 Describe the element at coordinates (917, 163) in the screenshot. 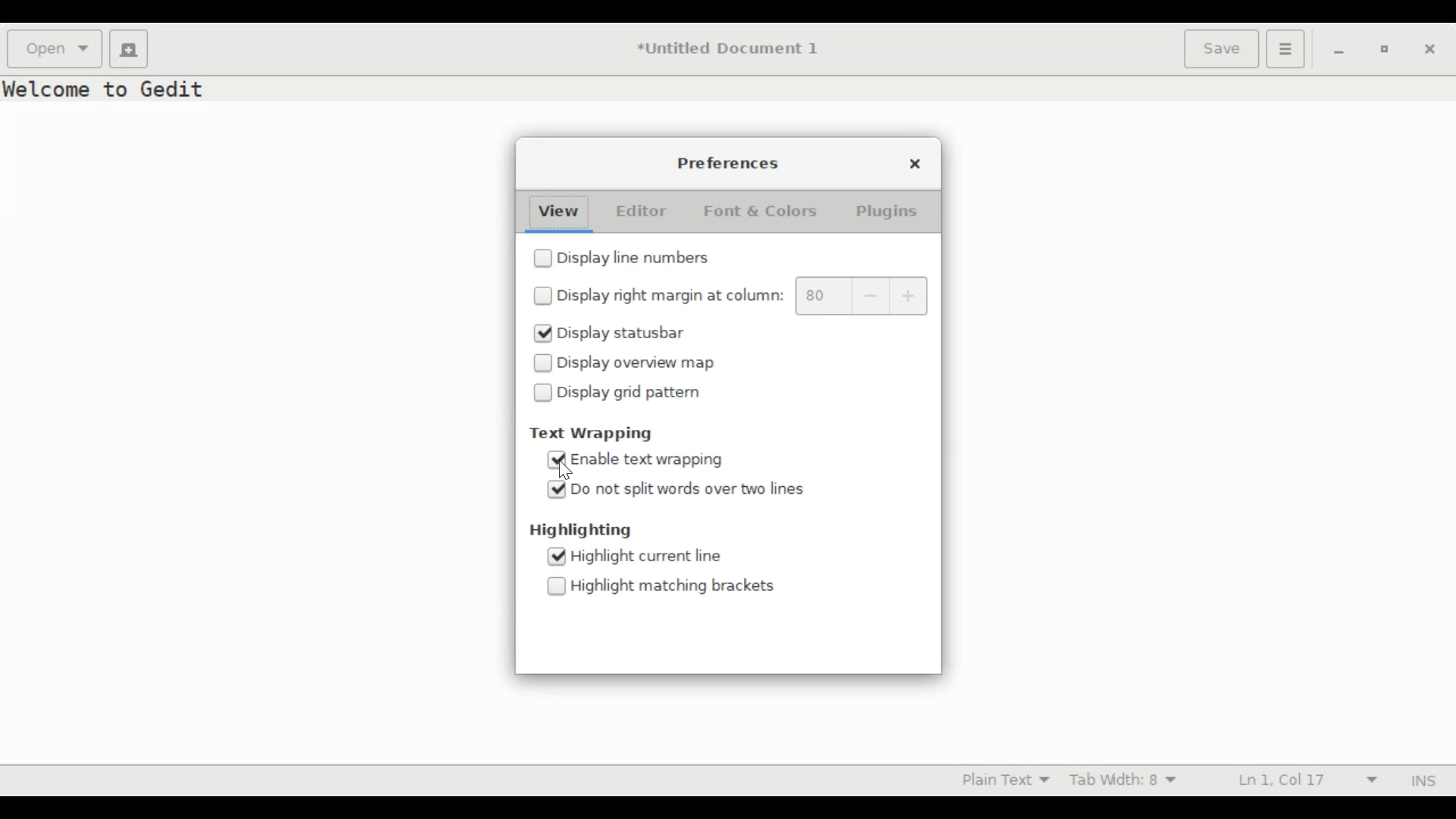

I see `close` at that location.